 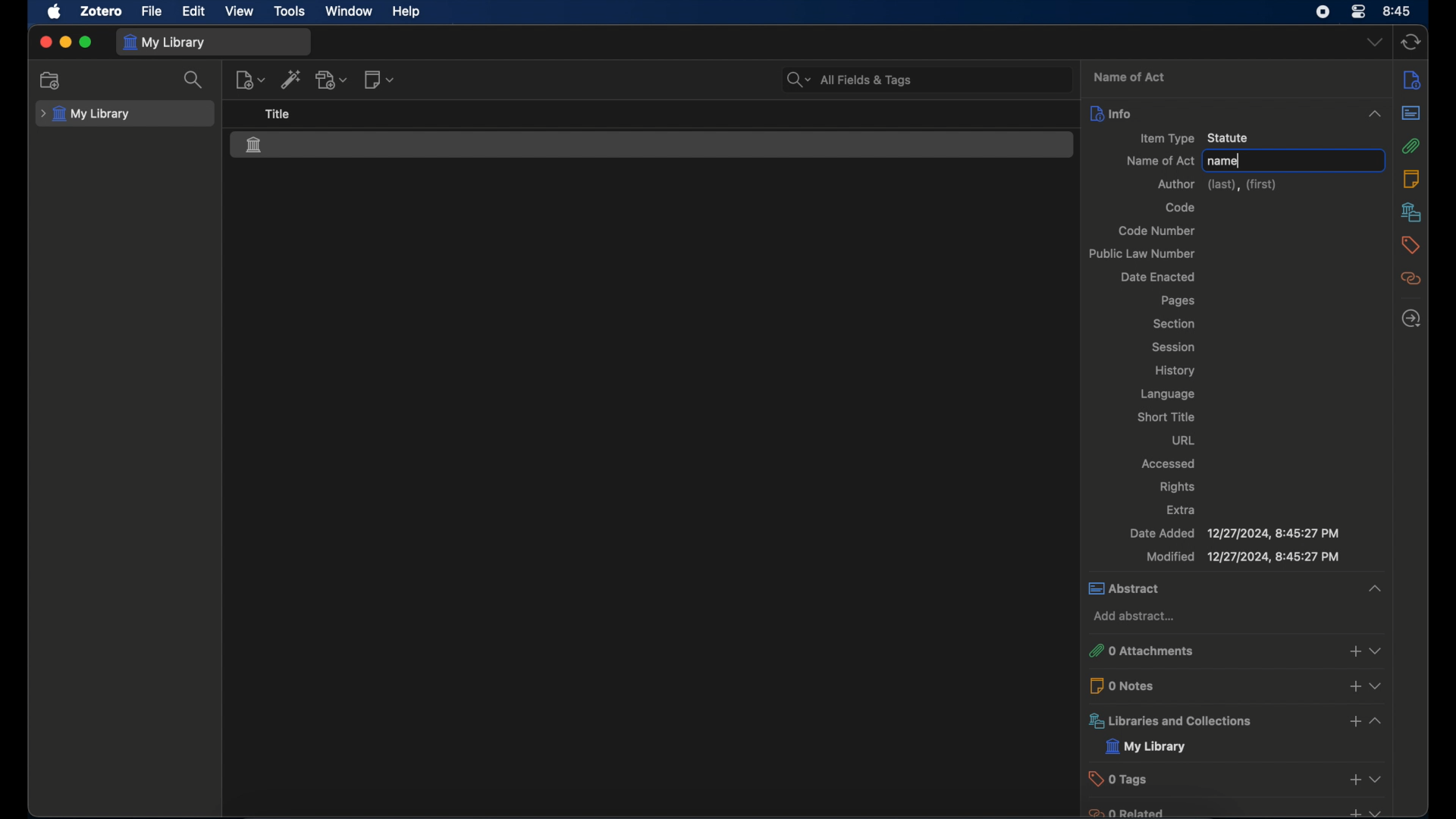 What do you see at coordinates (1373, 111) in the screenshot?
I see `collapse` at bounding box center [1373, 111].